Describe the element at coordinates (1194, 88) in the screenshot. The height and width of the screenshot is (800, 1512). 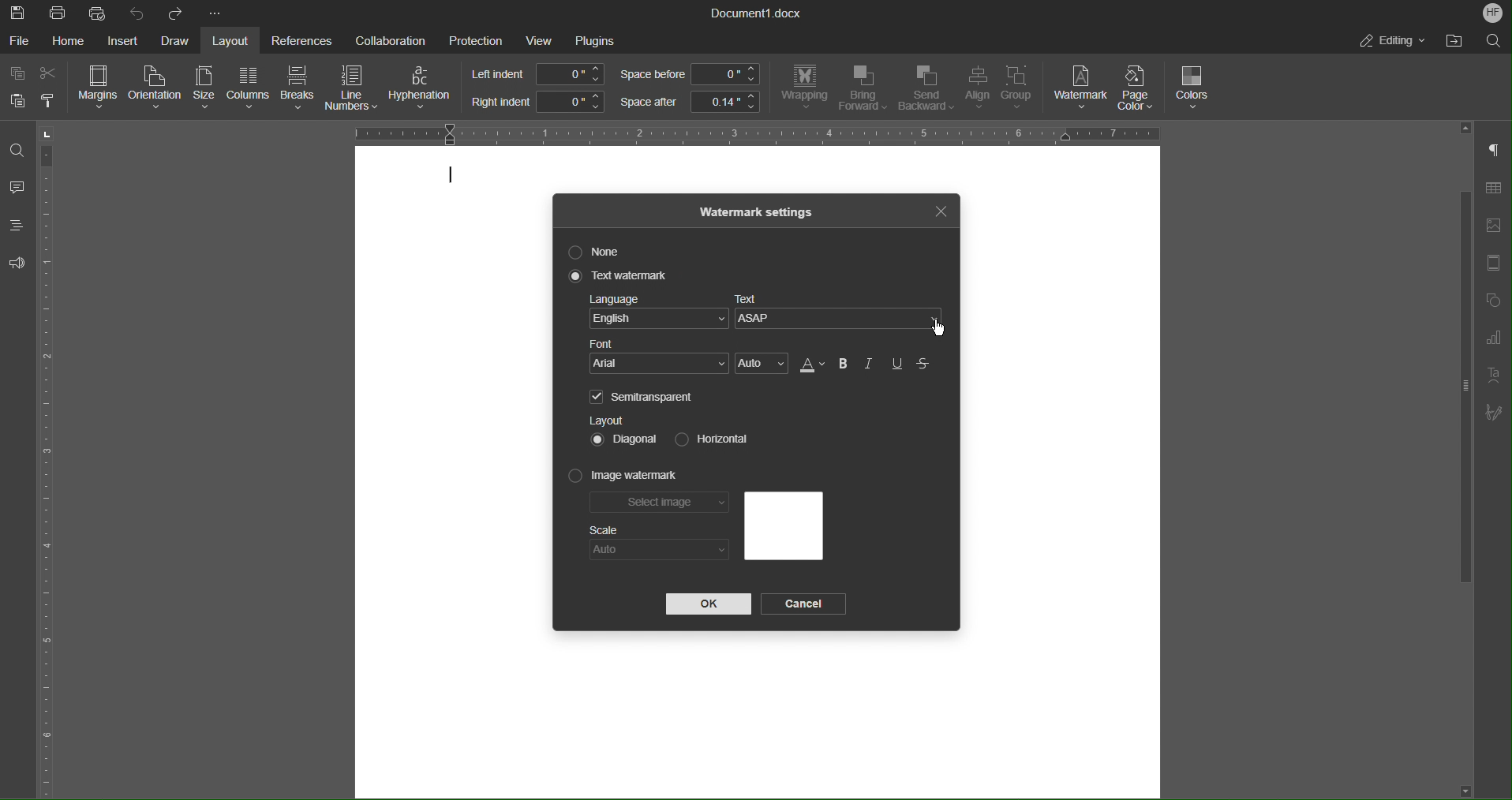
I see `Colors` at that location.